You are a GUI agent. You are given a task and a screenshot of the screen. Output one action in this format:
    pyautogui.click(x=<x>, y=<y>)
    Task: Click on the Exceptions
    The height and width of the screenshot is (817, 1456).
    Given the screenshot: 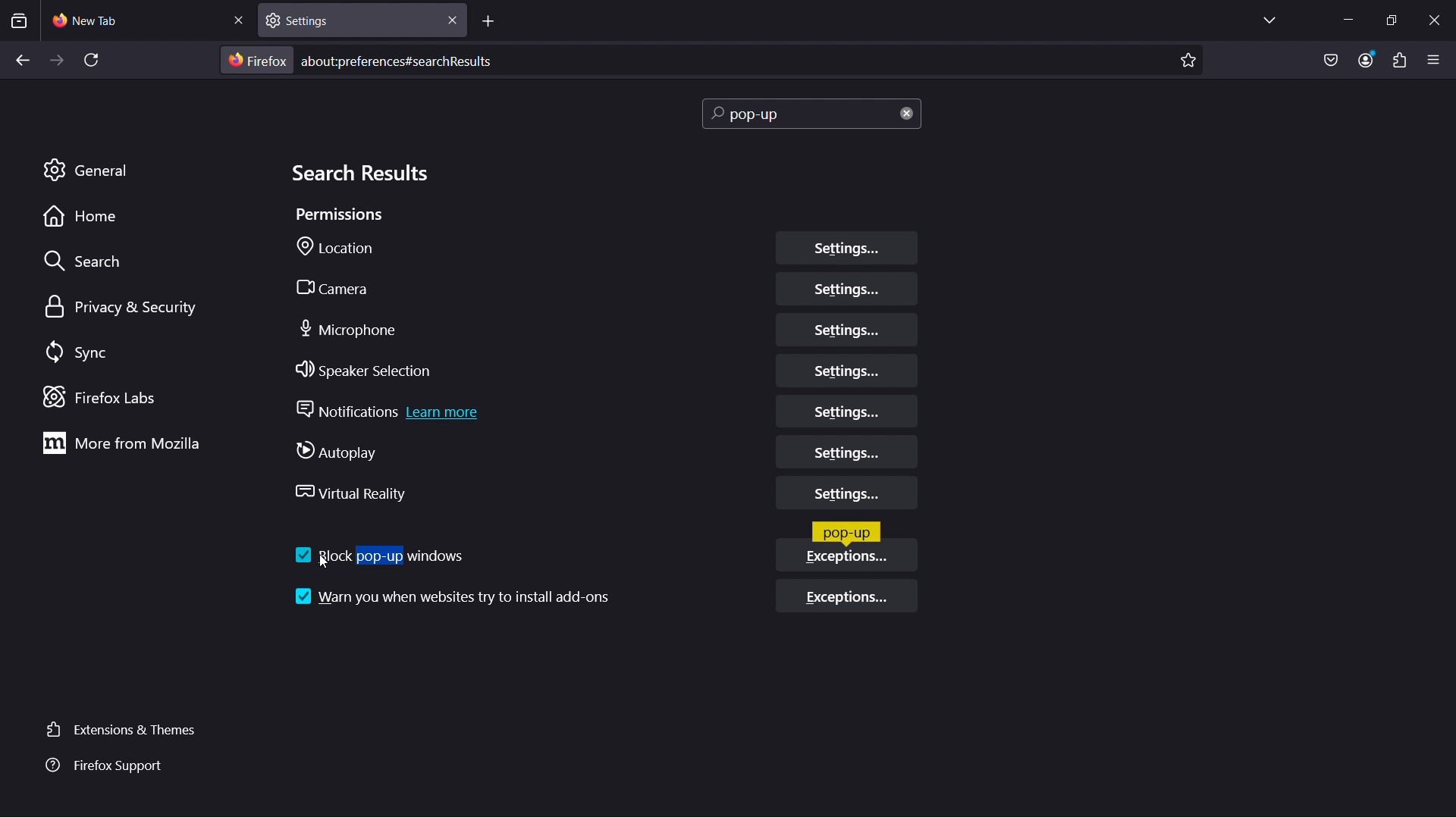 What is the action you would take?
    pyautogui.click(x=849, y=599)
    